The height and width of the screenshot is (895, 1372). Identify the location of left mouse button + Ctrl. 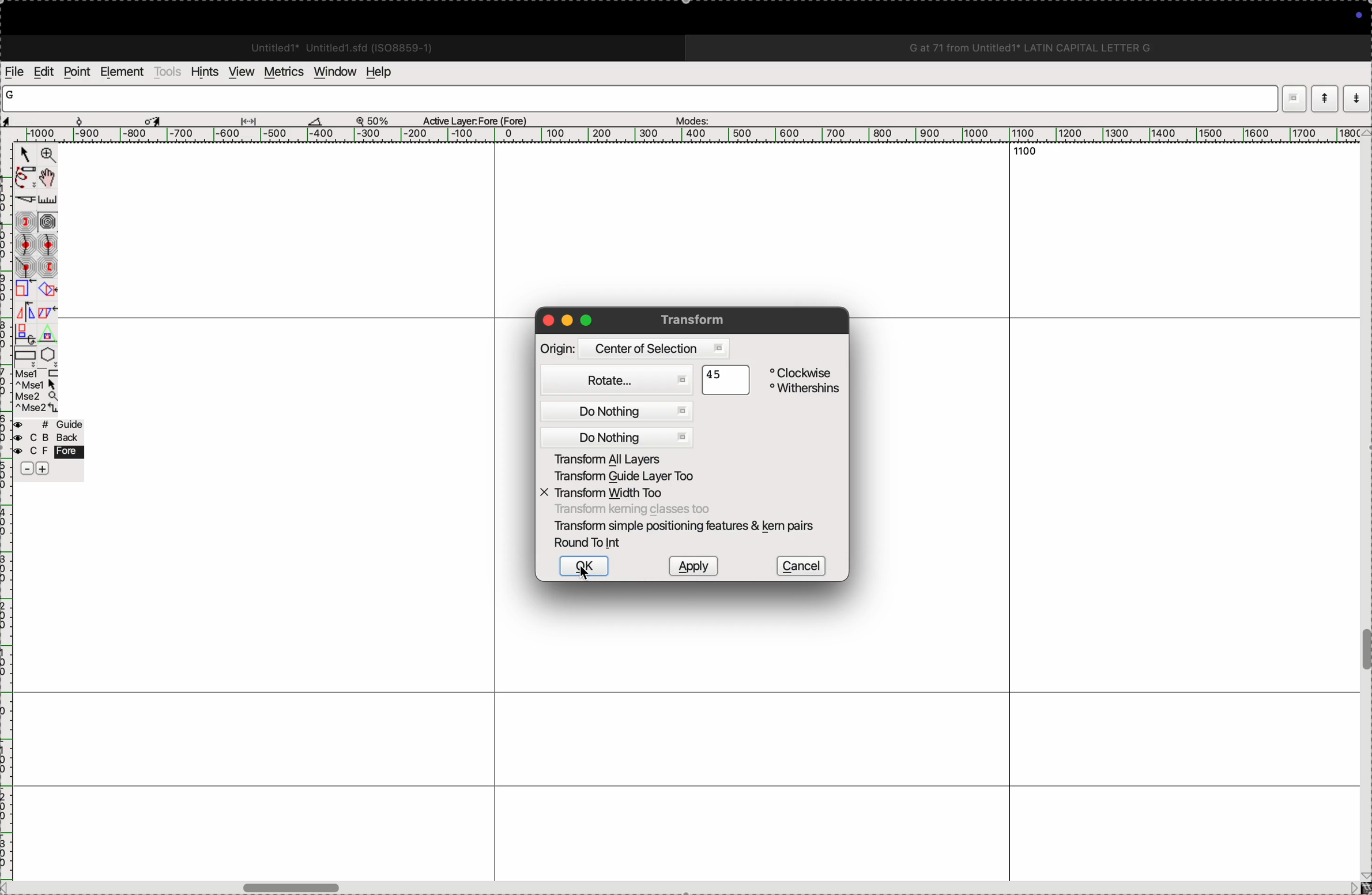
(36, 385).